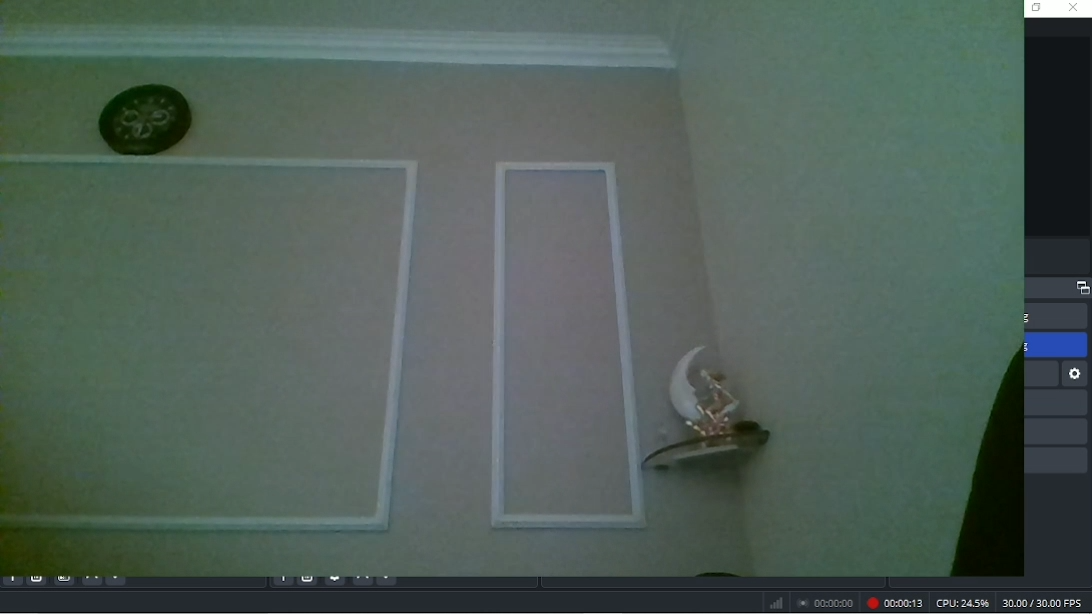 The width and height of the screenshot is (1092, 614). I want to click on Recording 00:00:03, so click(895, 603).